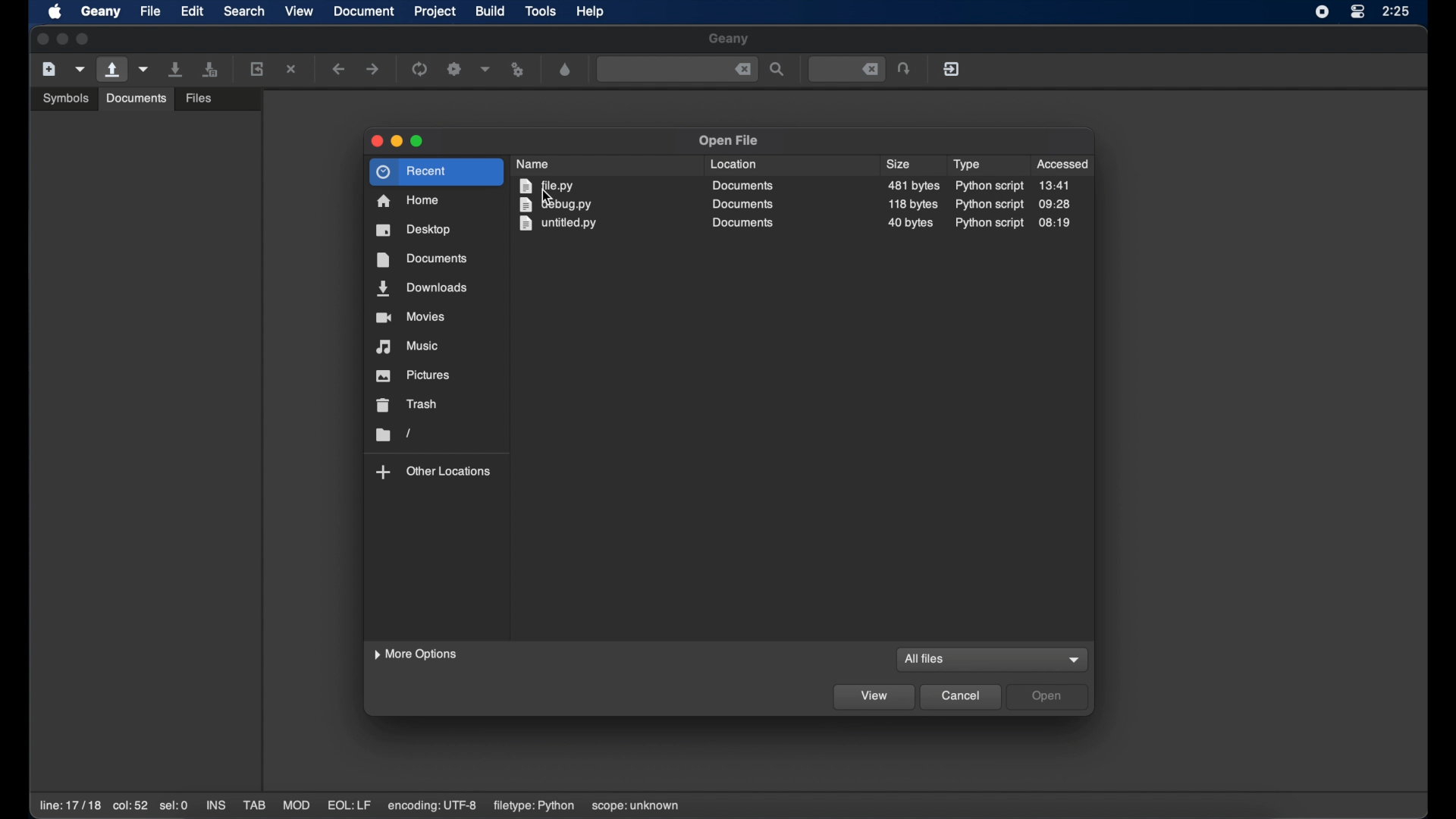 The height and width of the screenshot is (819, 1456). I want to click on other locations, so click(434, 472).